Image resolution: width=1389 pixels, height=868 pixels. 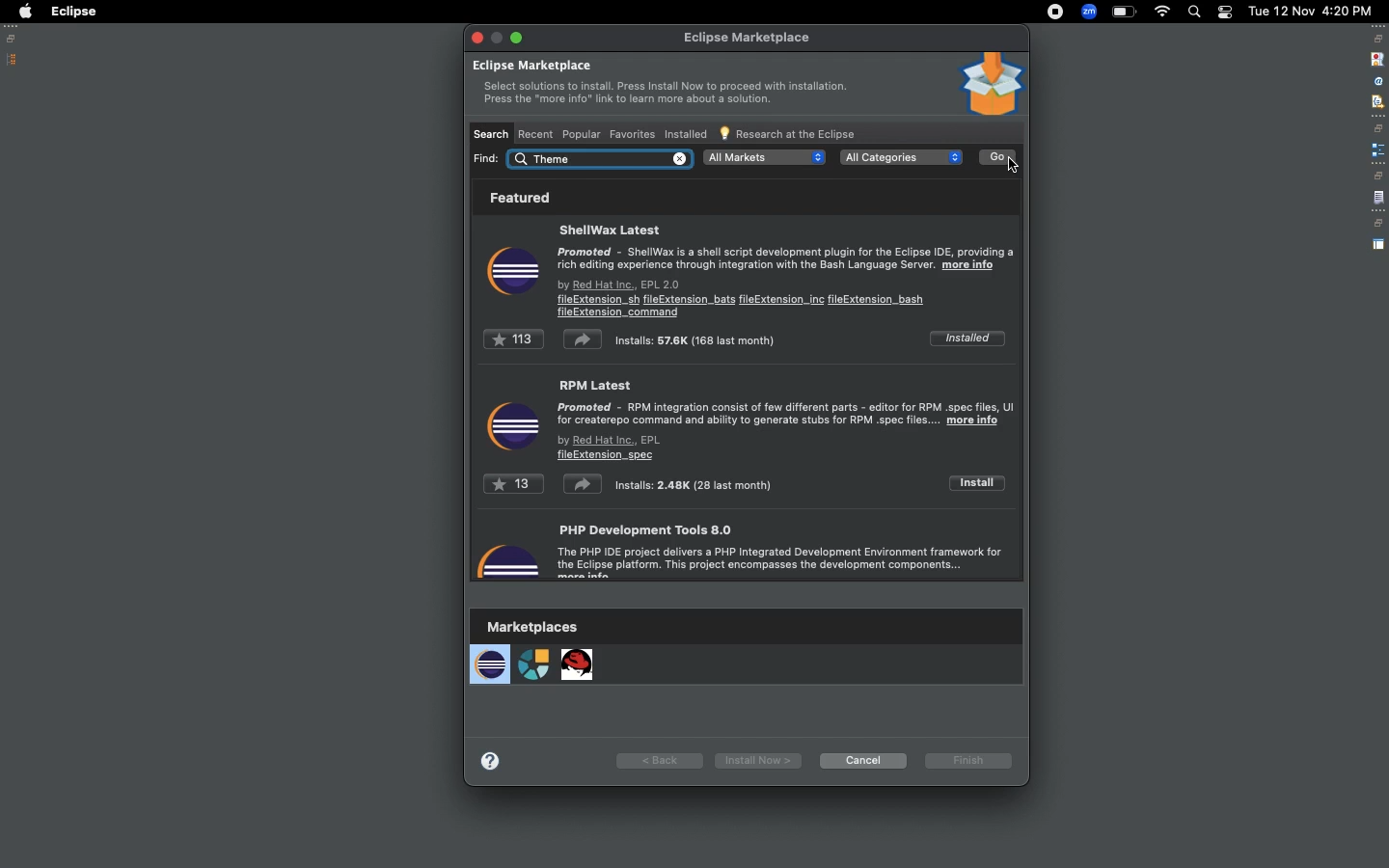 What do you see at coordinates (1016, 164) in the screenshot?
I see `color` at bounding box center [1016, 164].